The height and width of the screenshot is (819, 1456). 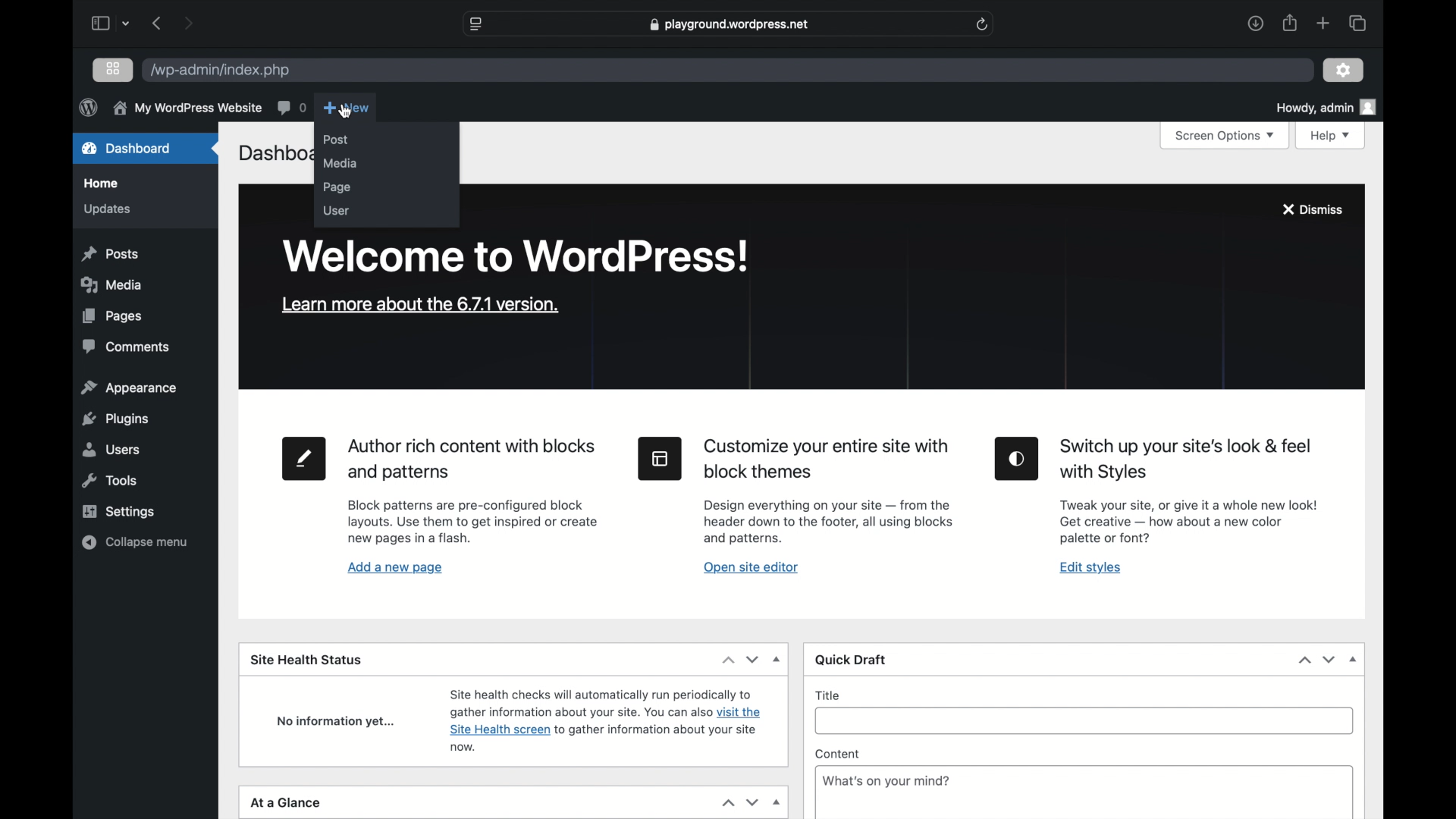 I want to click on downloads, so click(x=1256, y=24).